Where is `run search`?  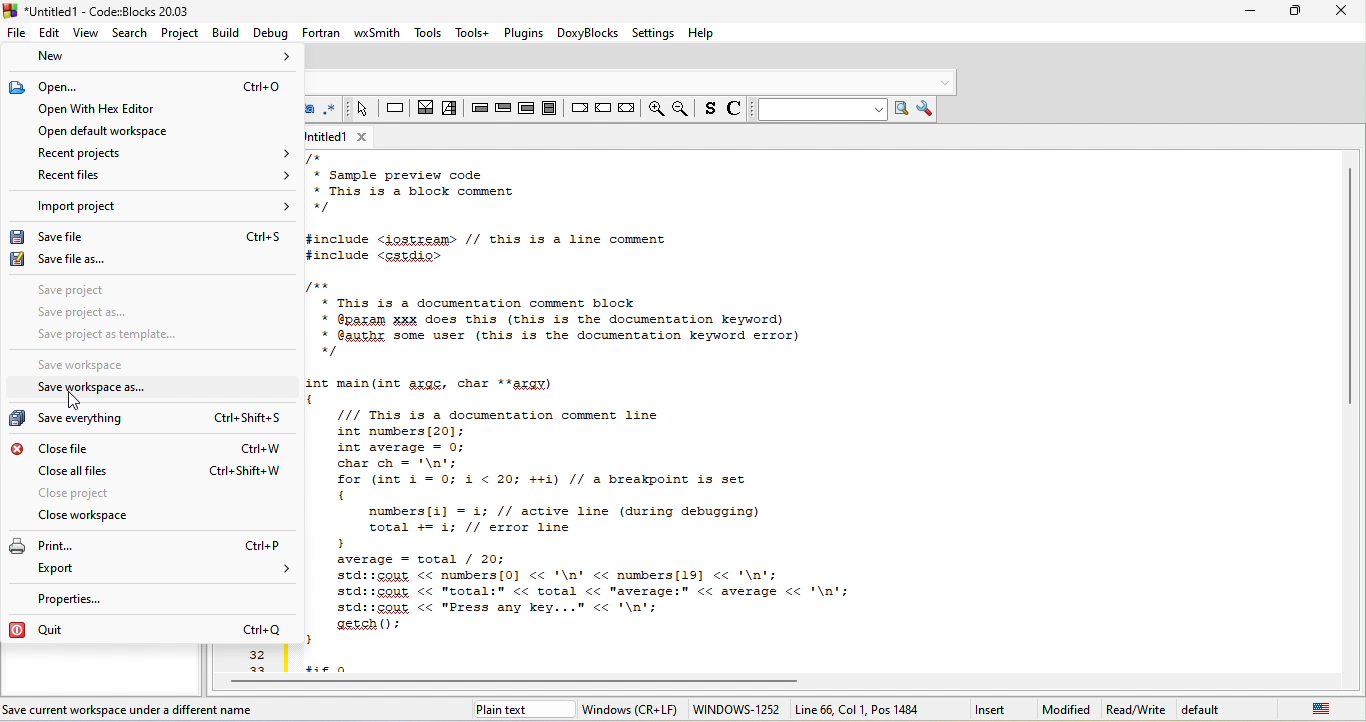 run search is located at coordinates (904, 110).